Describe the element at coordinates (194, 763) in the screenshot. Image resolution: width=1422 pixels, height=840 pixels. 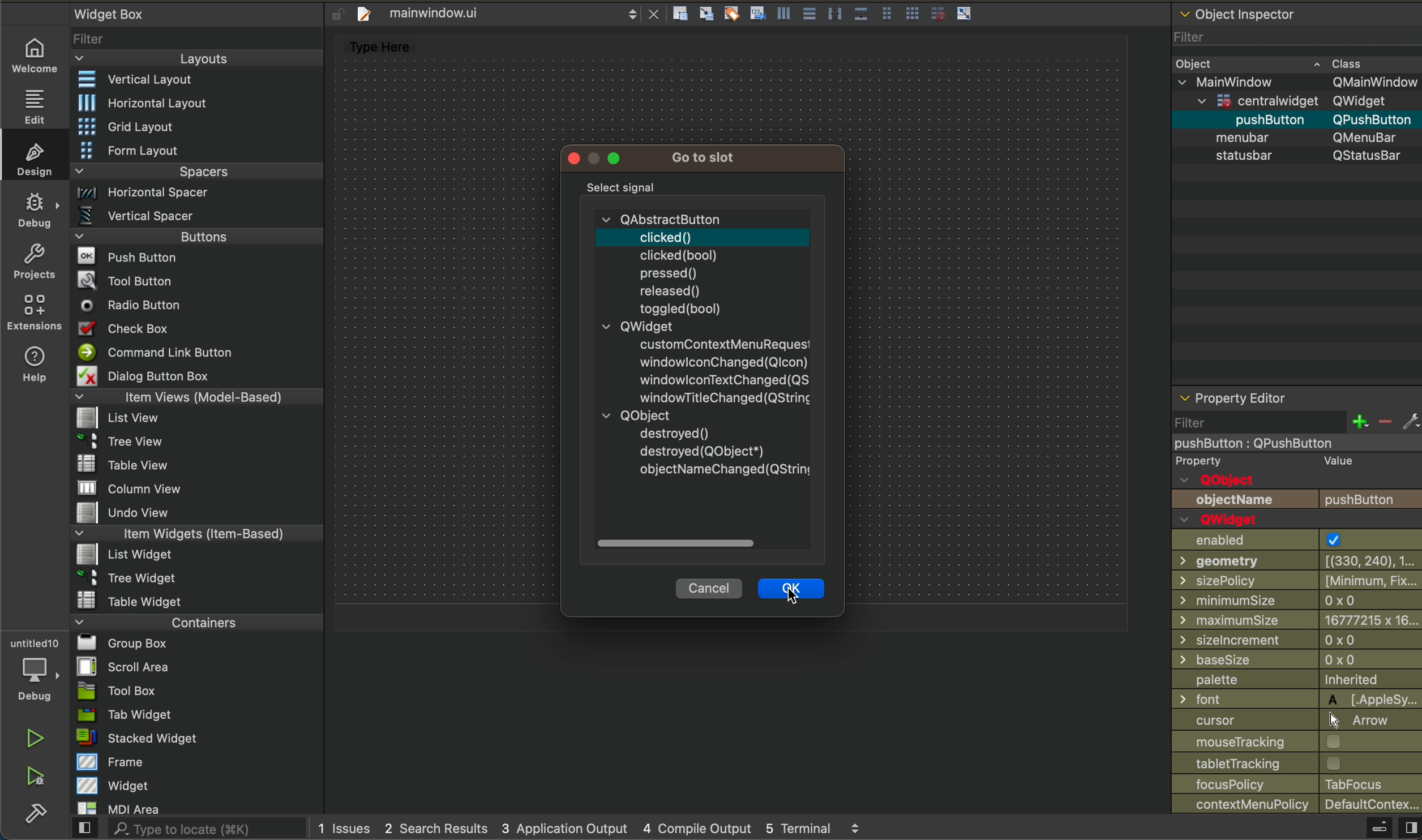
I see `frame` at that location.